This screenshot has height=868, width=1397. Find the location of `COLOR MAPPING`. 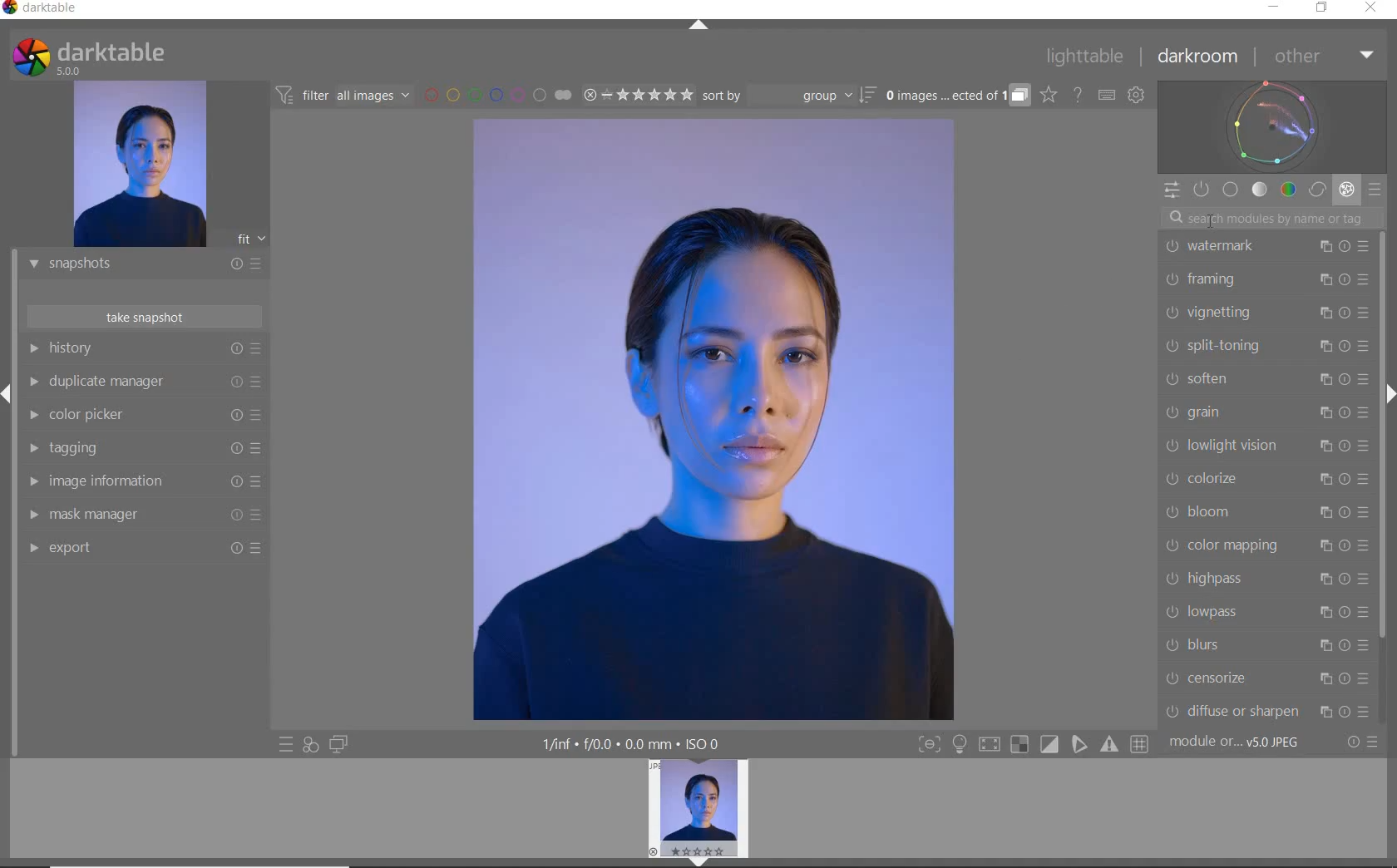

COLOR MAPPING is located at coordinates (1266, 545).